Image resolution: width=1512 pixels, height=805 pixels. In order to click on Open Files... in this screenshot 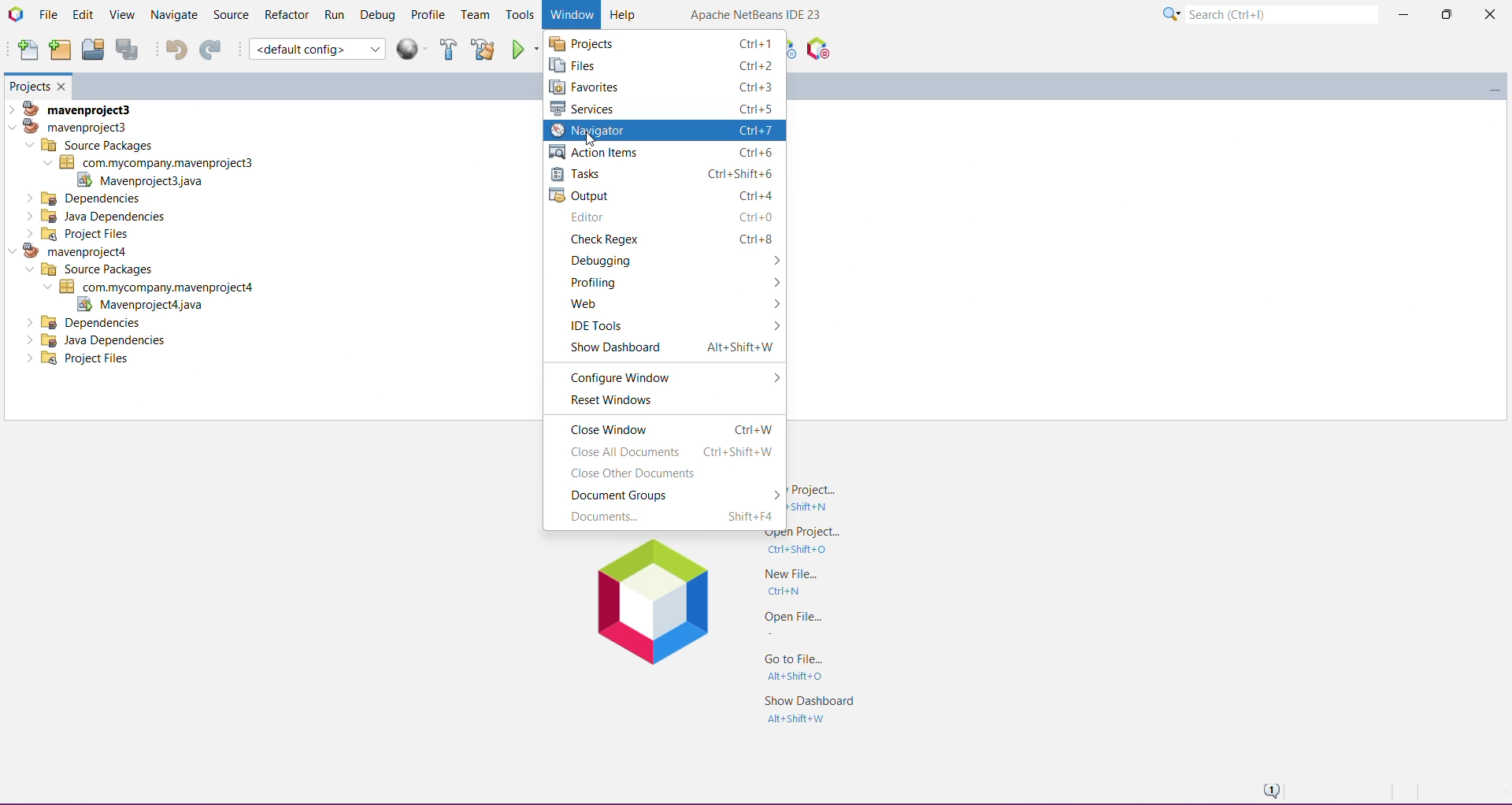, I will do `click(790, 621)`.